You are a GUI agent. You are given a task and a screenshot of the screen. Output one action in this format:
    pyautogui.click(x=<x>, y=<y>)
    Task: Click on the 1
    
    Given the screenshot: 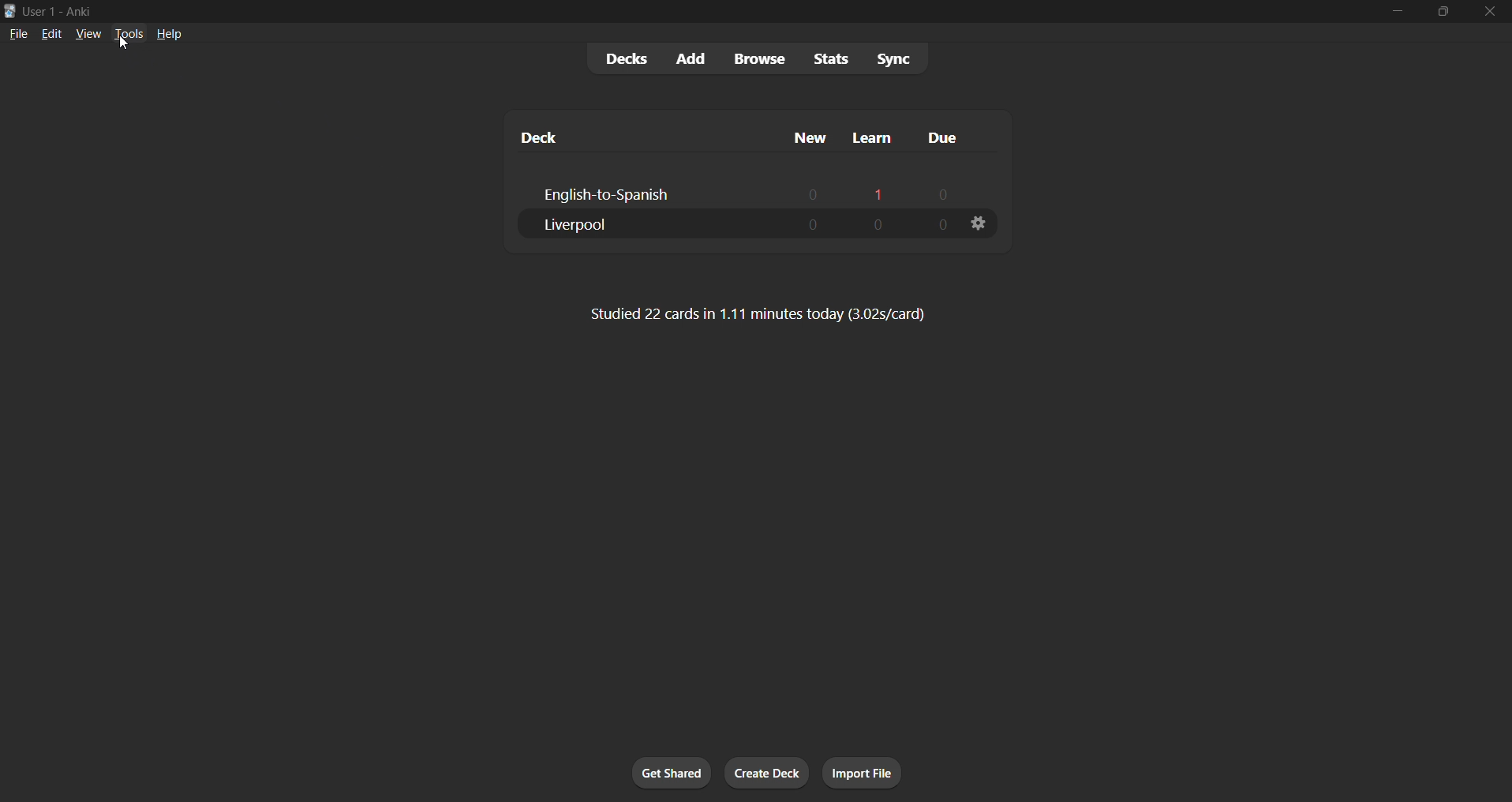 What is the action you would take?
    pyautogui.click(x=877, y=191)
    